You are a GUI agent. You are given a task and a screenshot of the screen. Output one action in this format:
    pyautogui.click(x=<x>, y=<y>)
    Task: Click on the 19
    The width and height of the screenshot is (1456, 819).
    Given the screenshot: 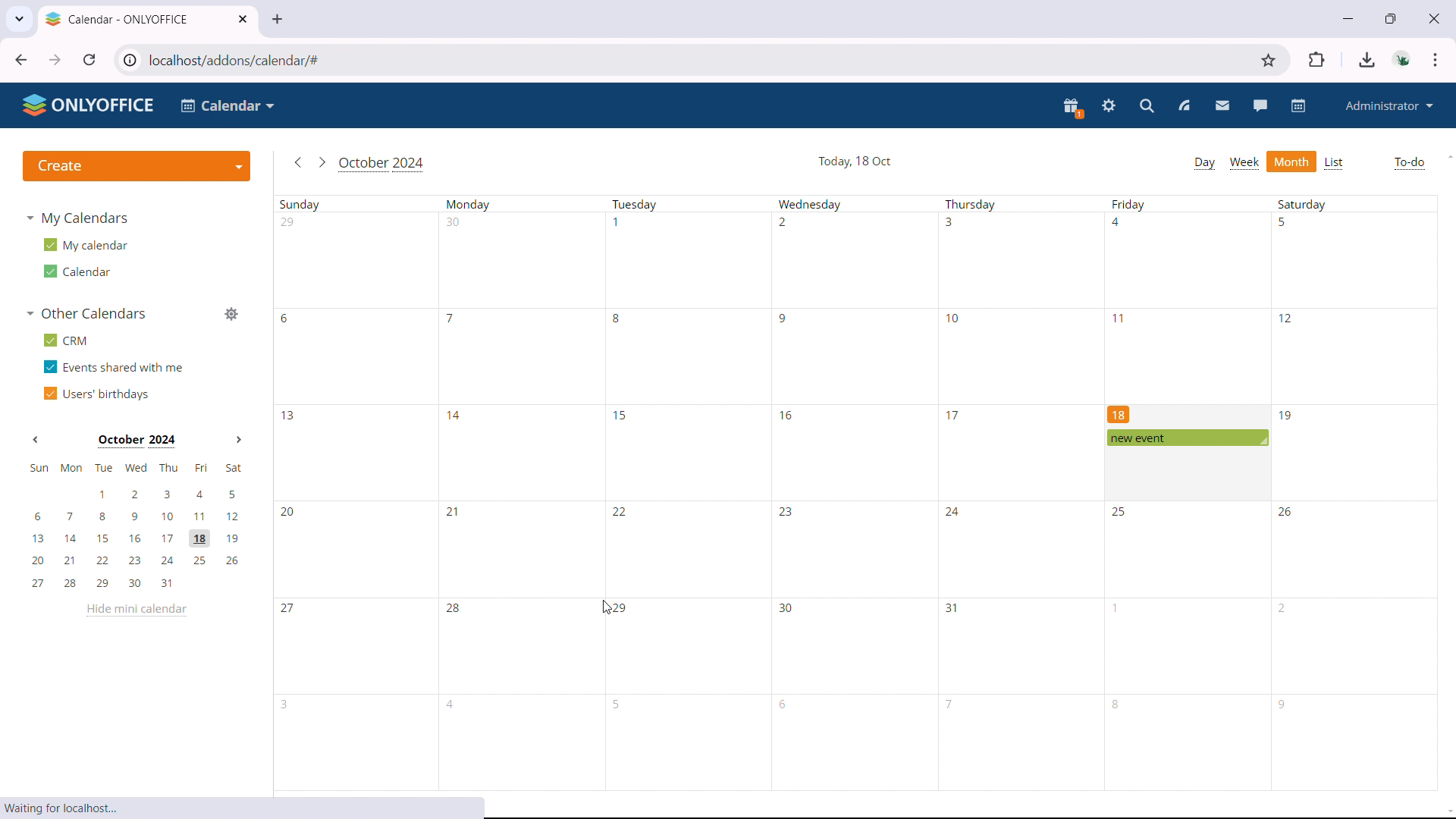 What is the action you would take?
    pyautogui.click(x=1287, y=416)
    